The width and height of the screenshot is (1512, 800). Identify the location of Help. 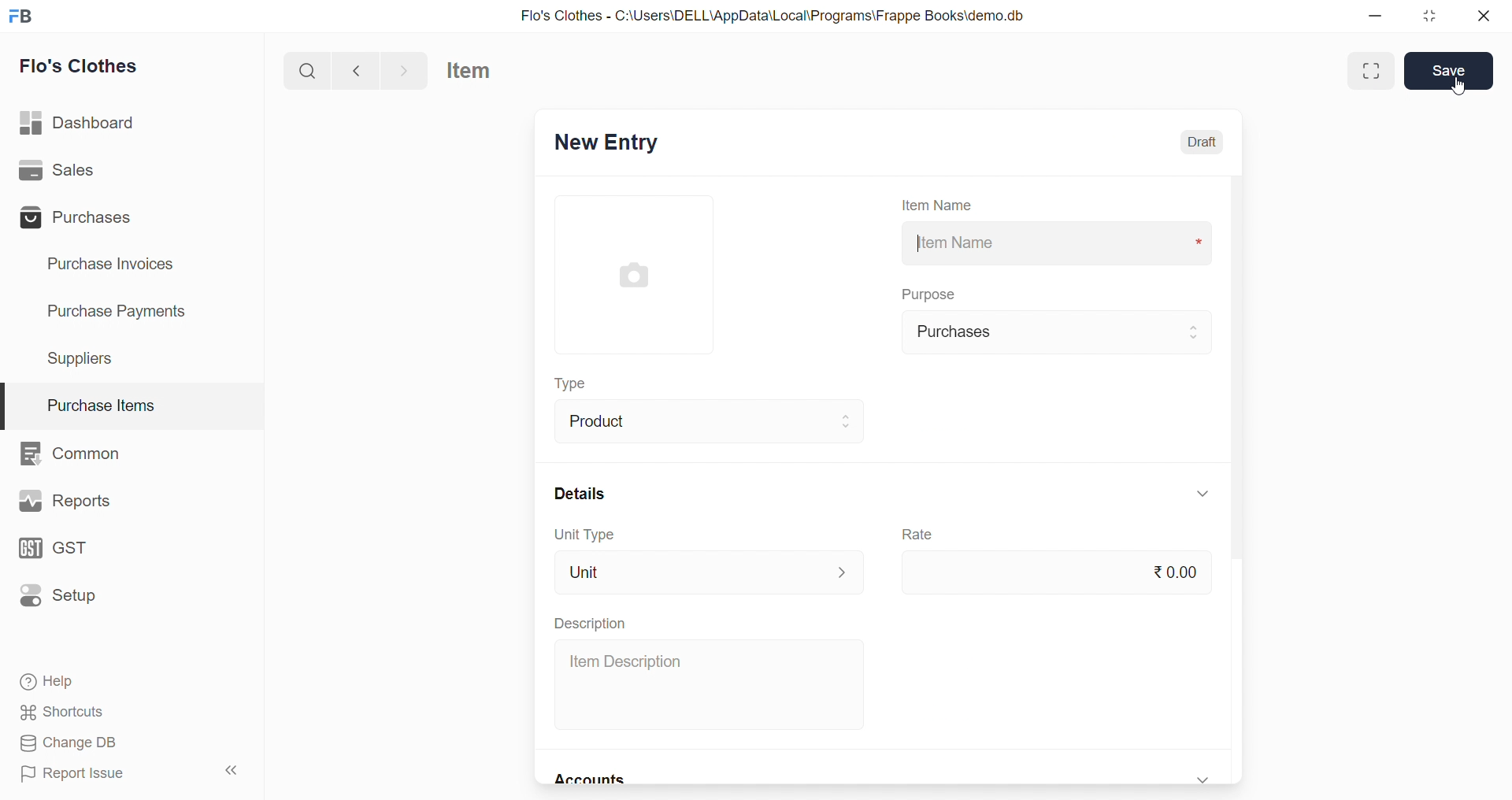
(124, 680).